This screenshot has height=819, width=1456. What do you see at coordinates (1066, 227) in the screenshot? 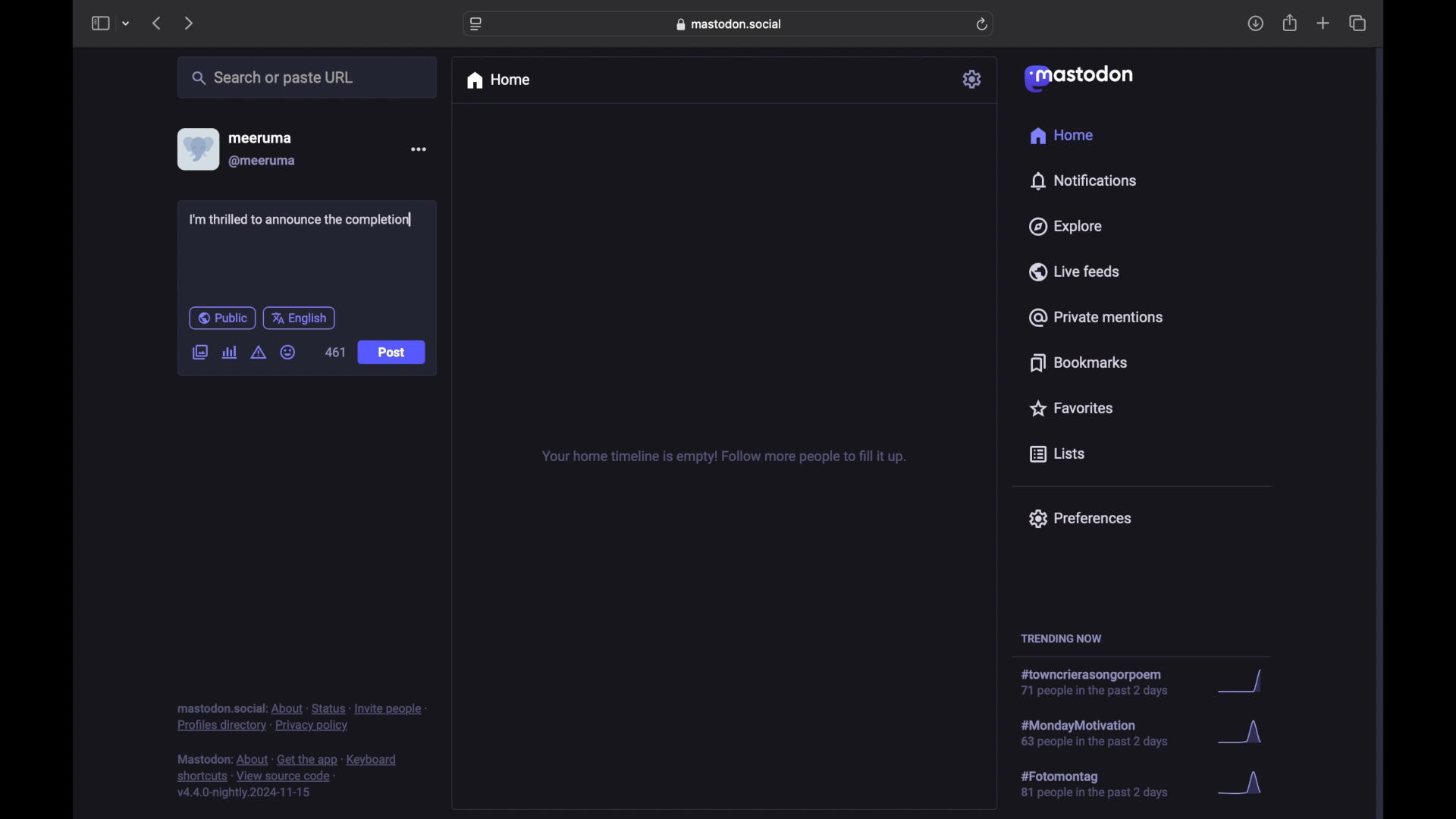
I see `explore` at bounding box center [1066, 227].